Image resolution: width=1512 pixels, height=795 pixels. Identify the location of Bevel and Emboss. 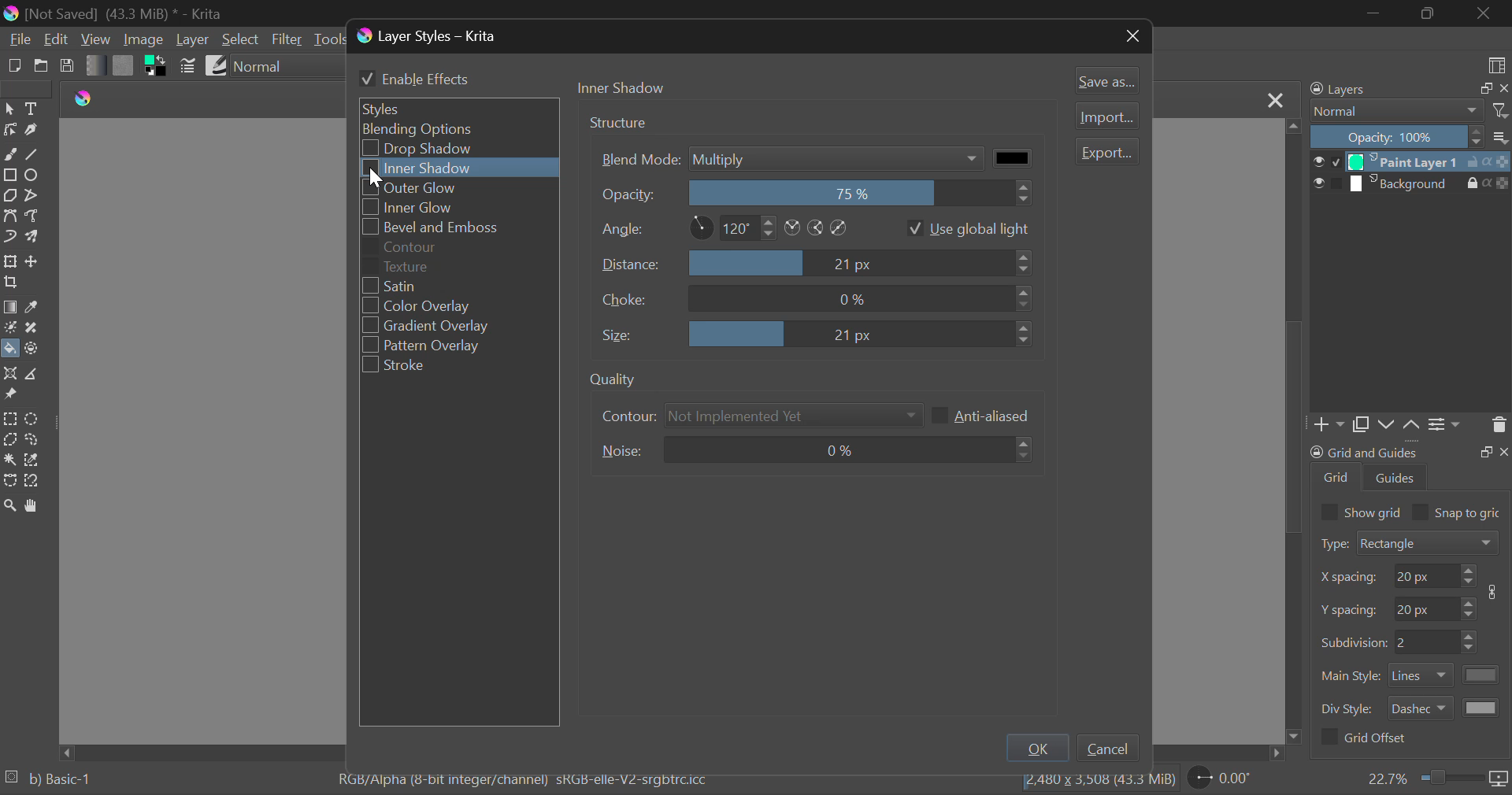
(443, 227).